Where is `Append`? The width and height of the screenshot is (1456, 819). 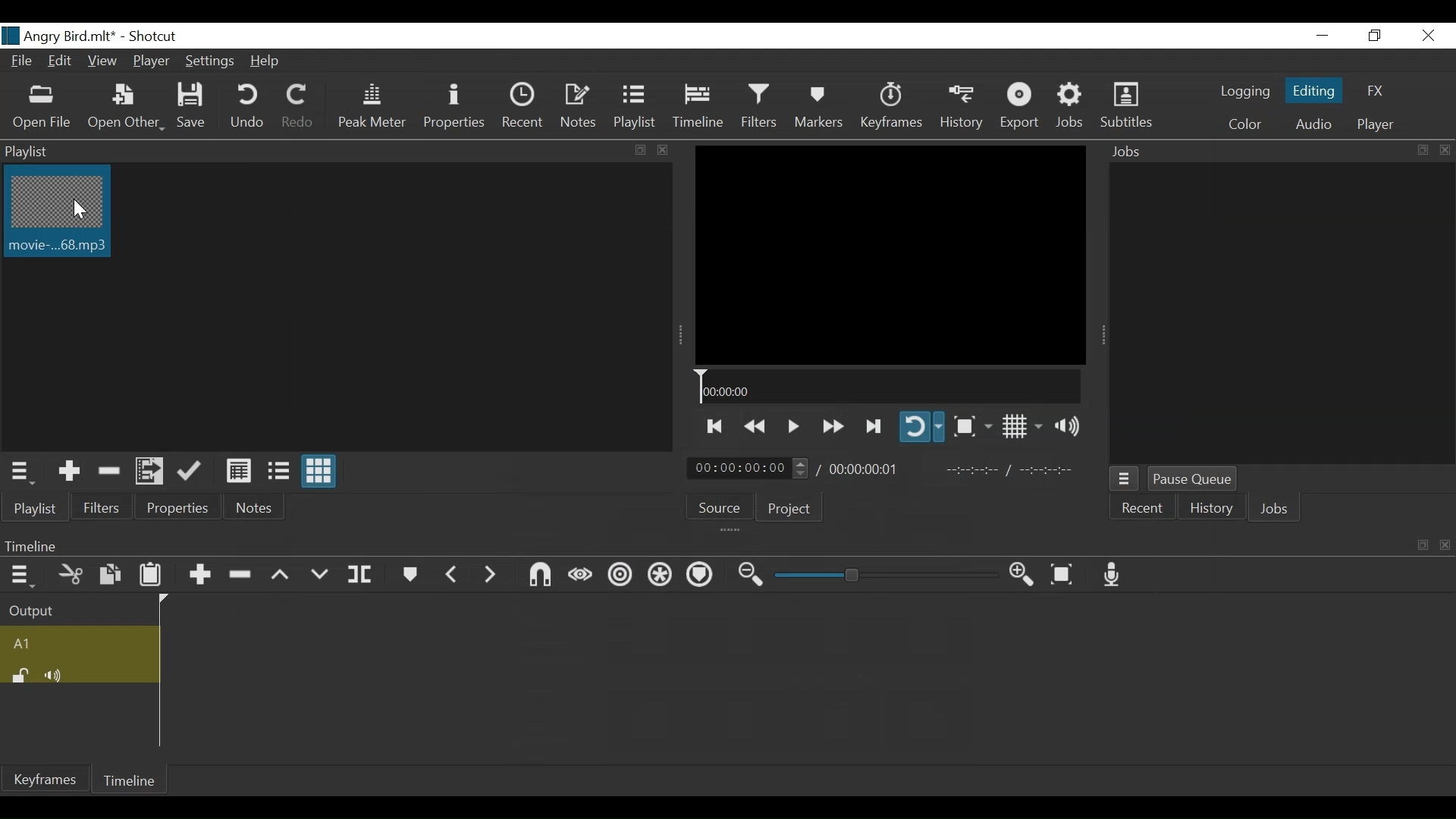 Append is located at coordinates (199, 573).